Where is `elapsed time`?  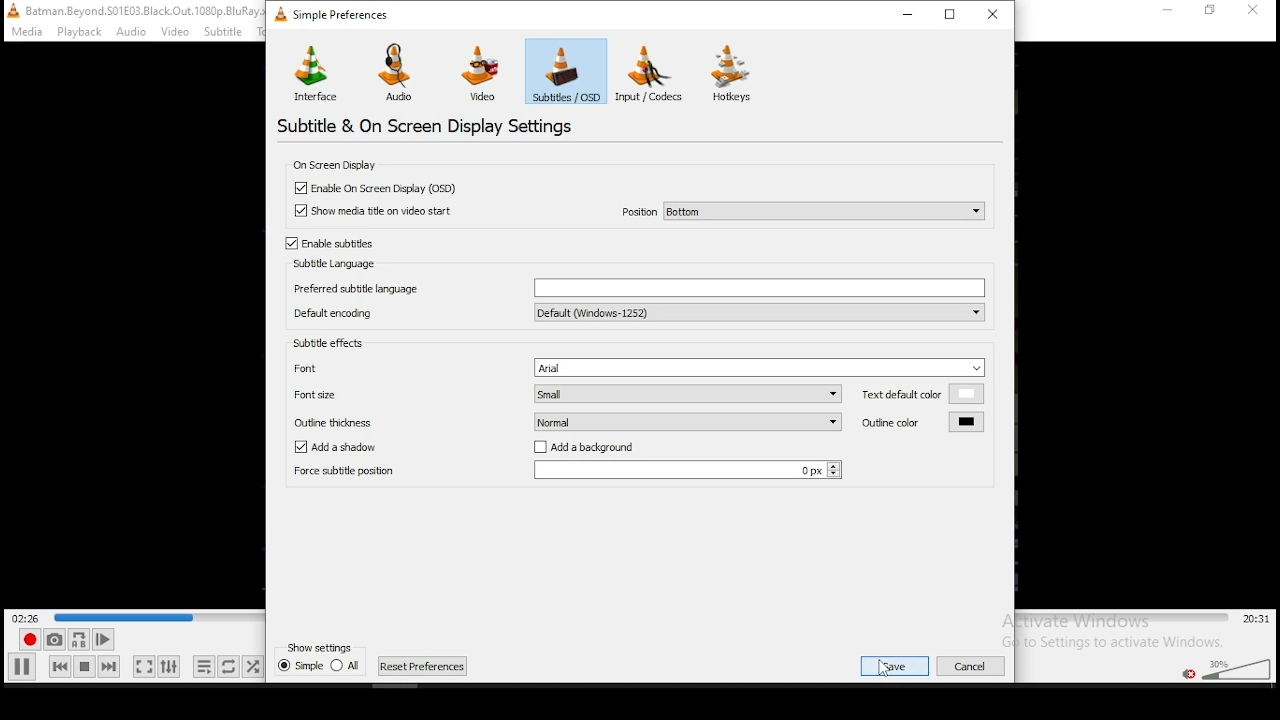 elapsed time is located at coordinates (28, 617).